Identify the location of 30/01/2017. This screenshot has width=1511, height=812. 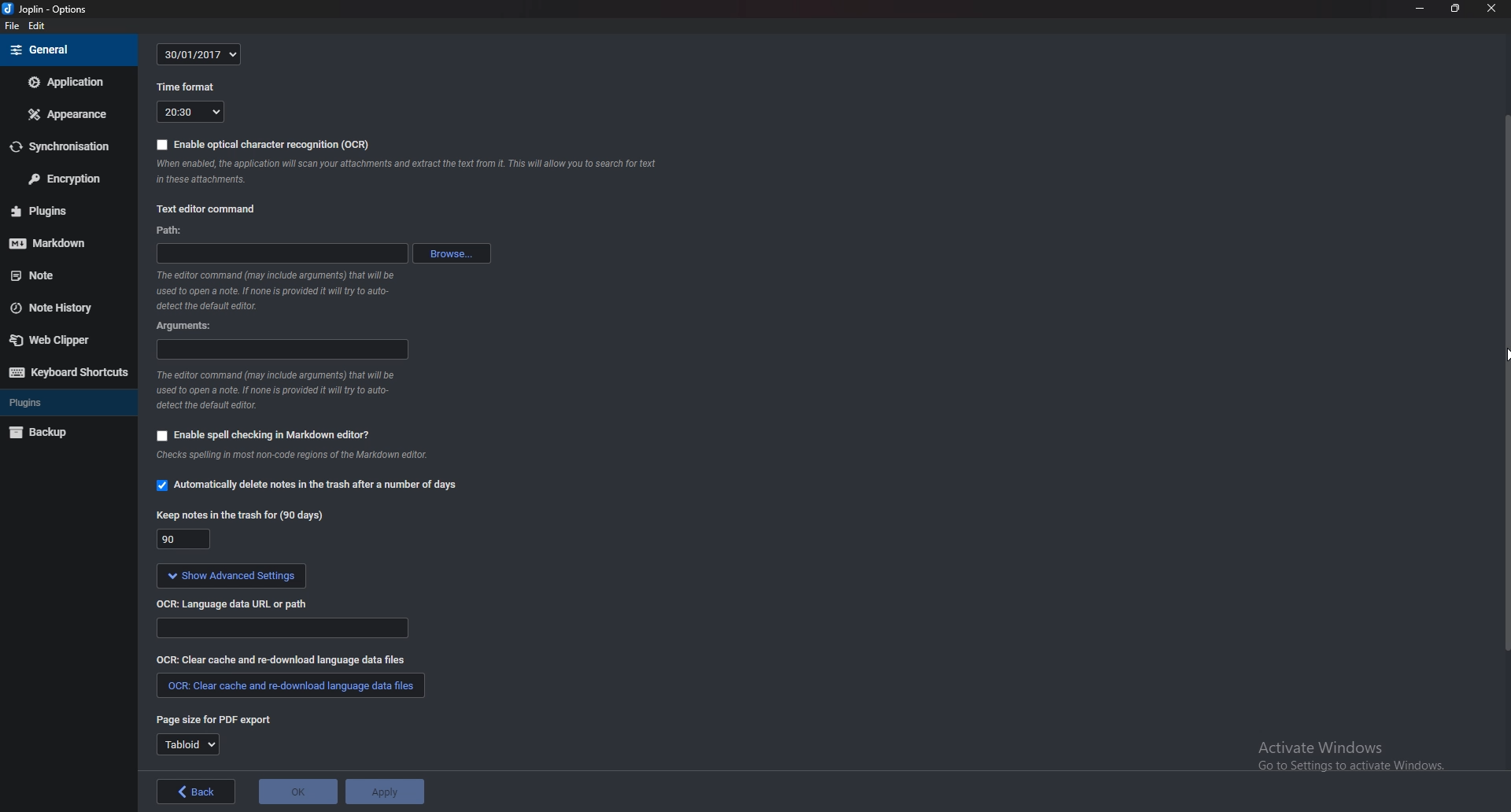
(201, 54).